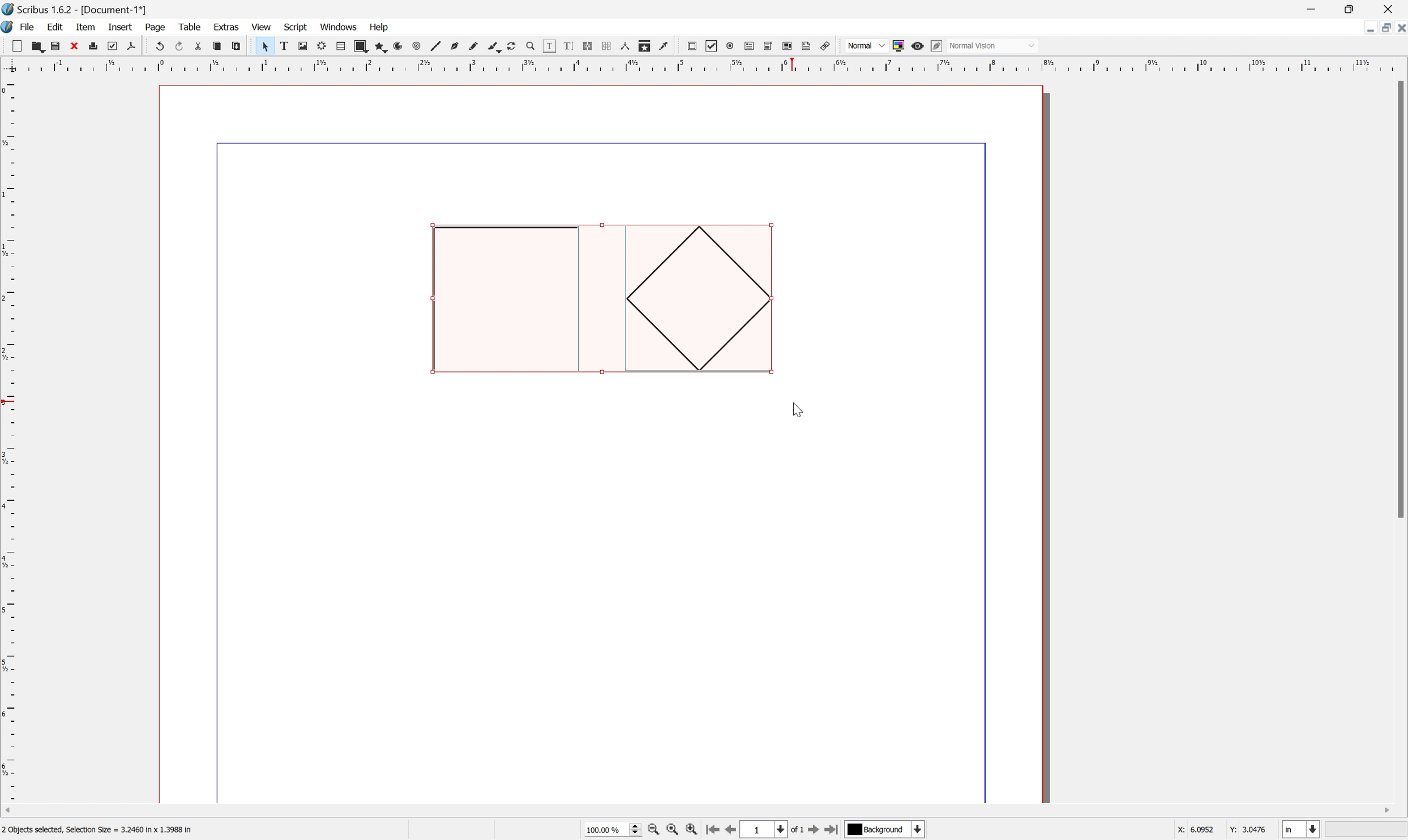  Describe the element at coordinates (696, 299) in the screenshot. I see `Polygon` at that location.